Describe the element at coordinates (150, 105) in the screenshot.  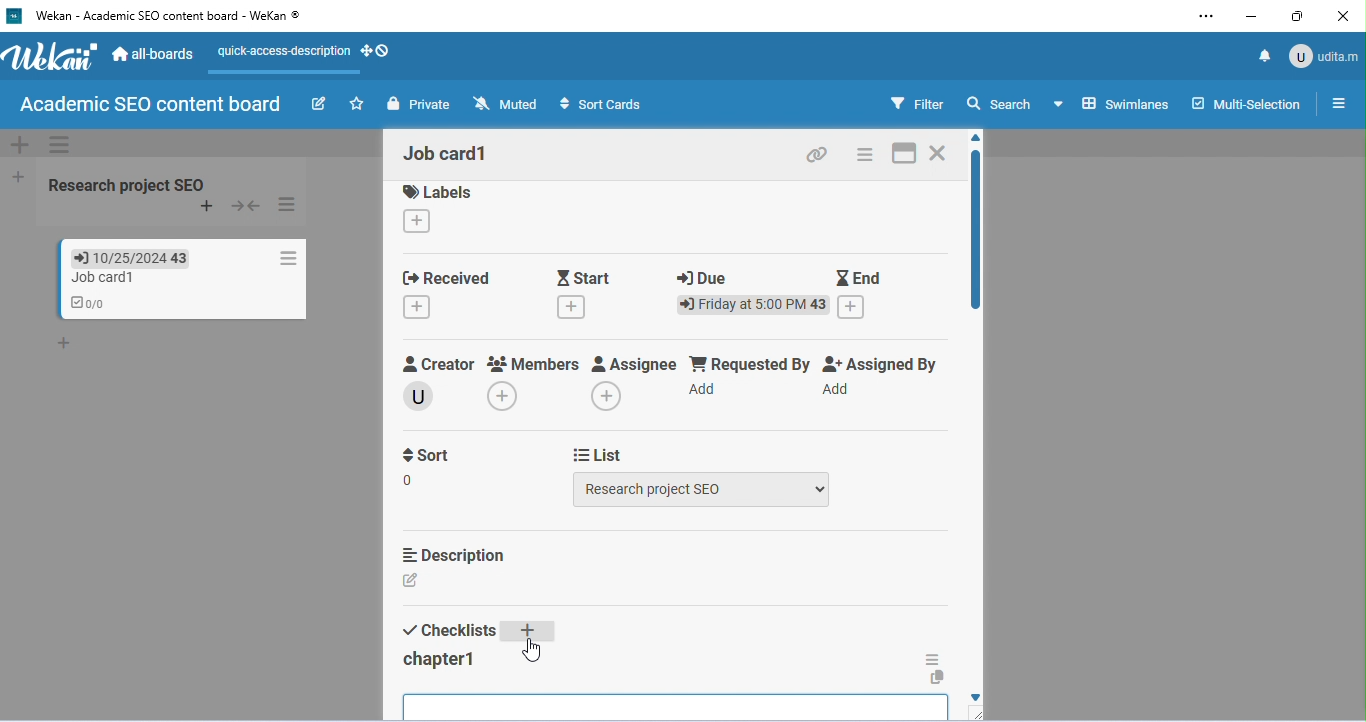
I see `board name: academic SEO content board` at that location.